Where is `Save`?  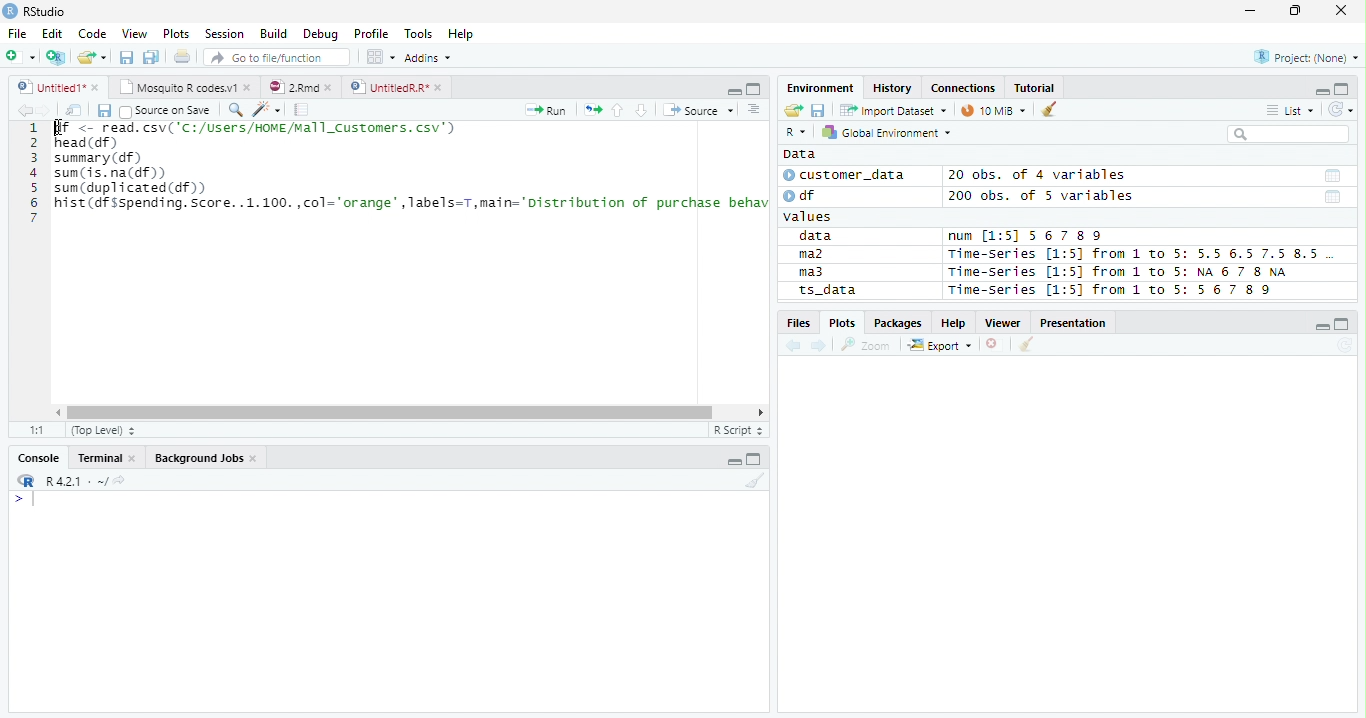 Save is located at coordinates (818, 109).